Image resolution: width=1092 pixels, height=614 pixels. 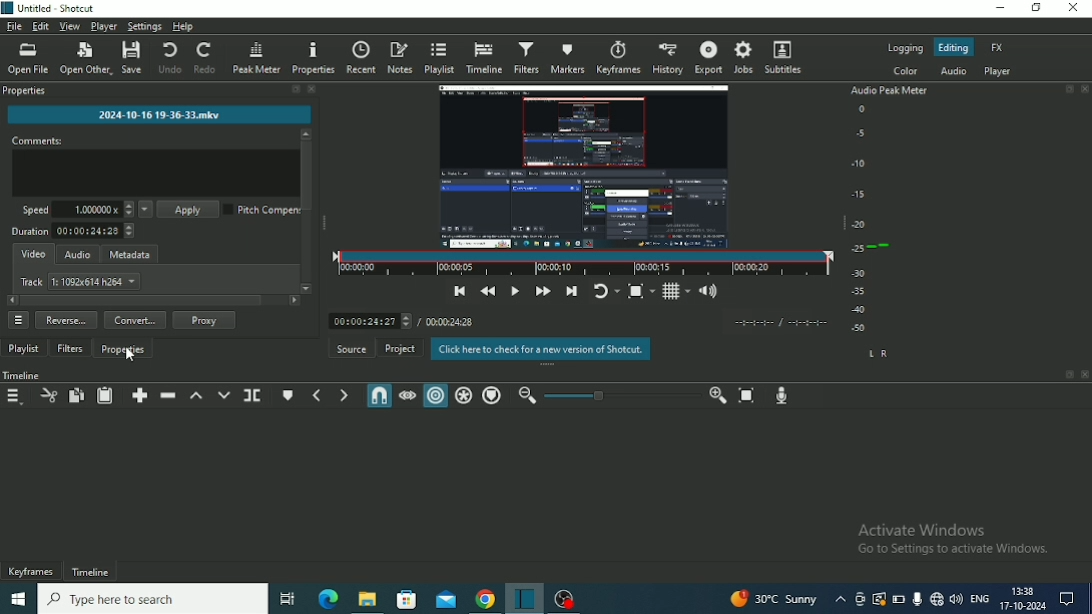 What do you see at coordinates (85, 57) in the screenshot?
I see `Open Other` at bounding box center [85, 57].